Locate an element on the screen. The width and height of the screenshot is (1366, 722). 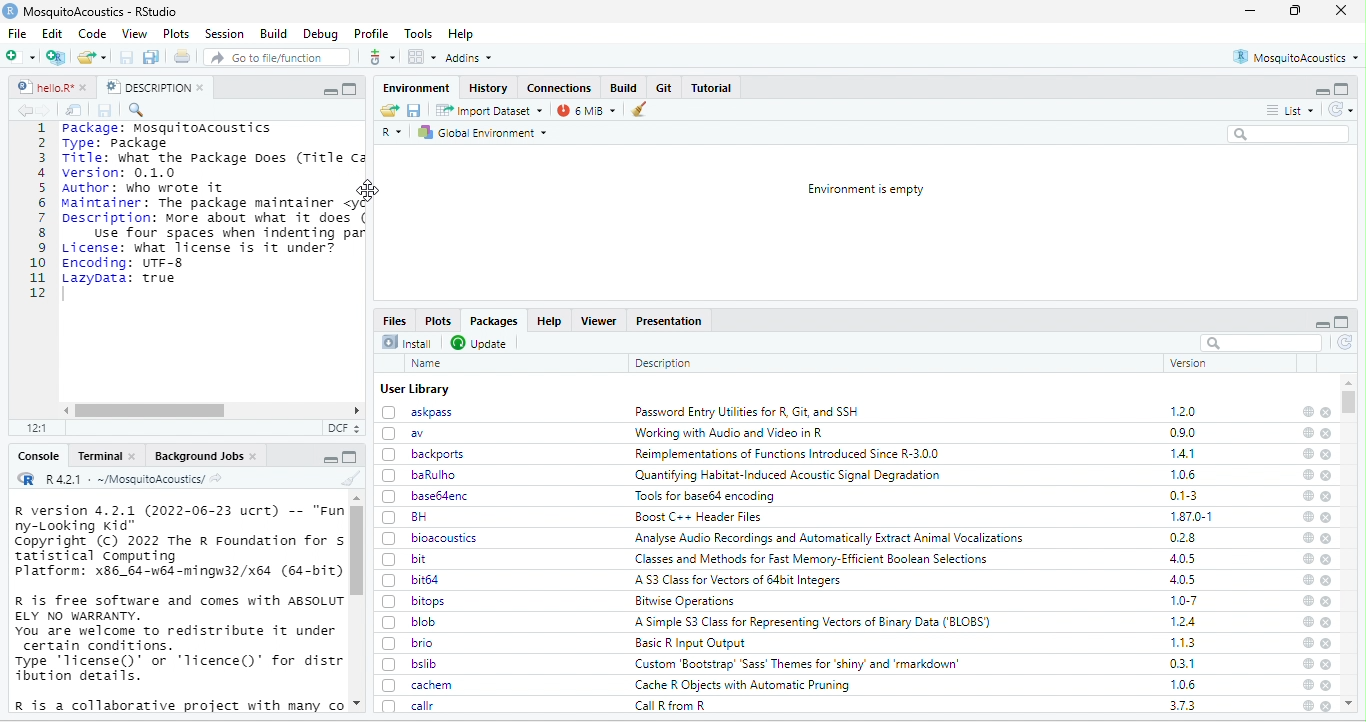
save current document is located at coordinates (127, 57).